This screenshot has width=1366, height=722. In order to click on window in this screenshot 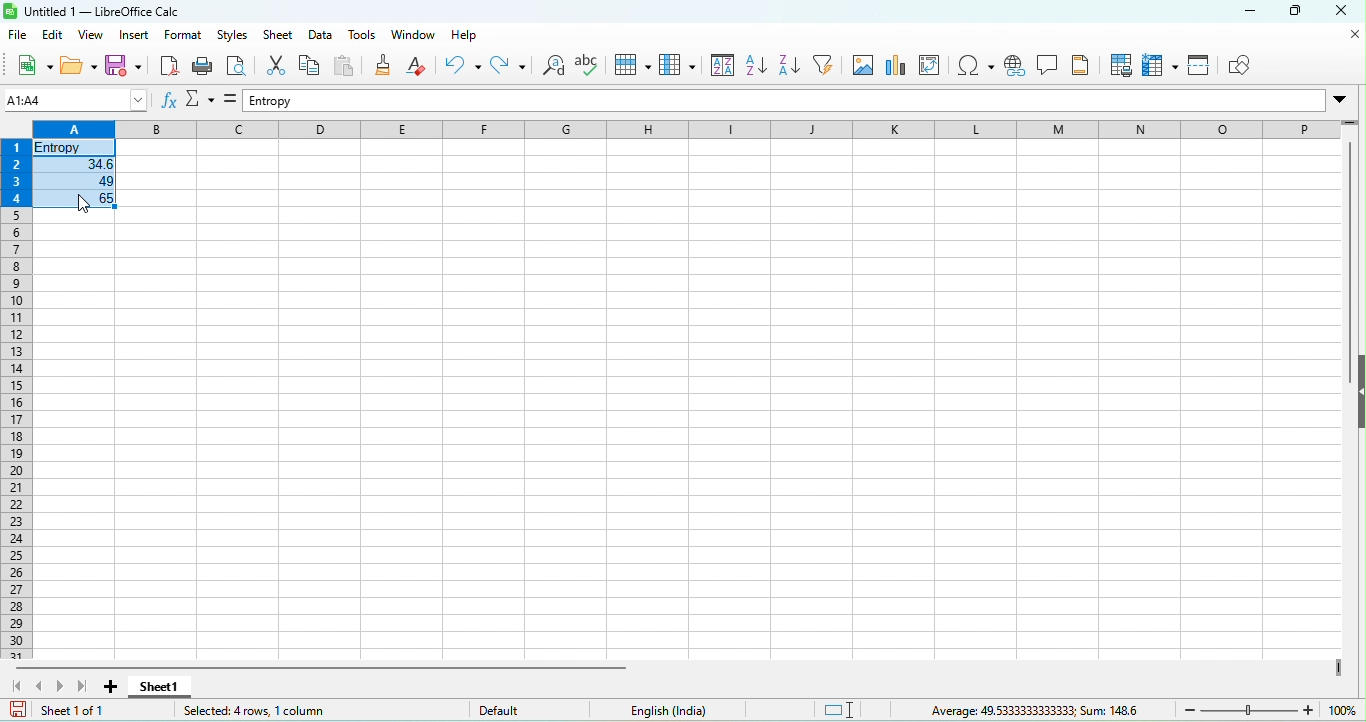, I will do `click(415, 36)`.